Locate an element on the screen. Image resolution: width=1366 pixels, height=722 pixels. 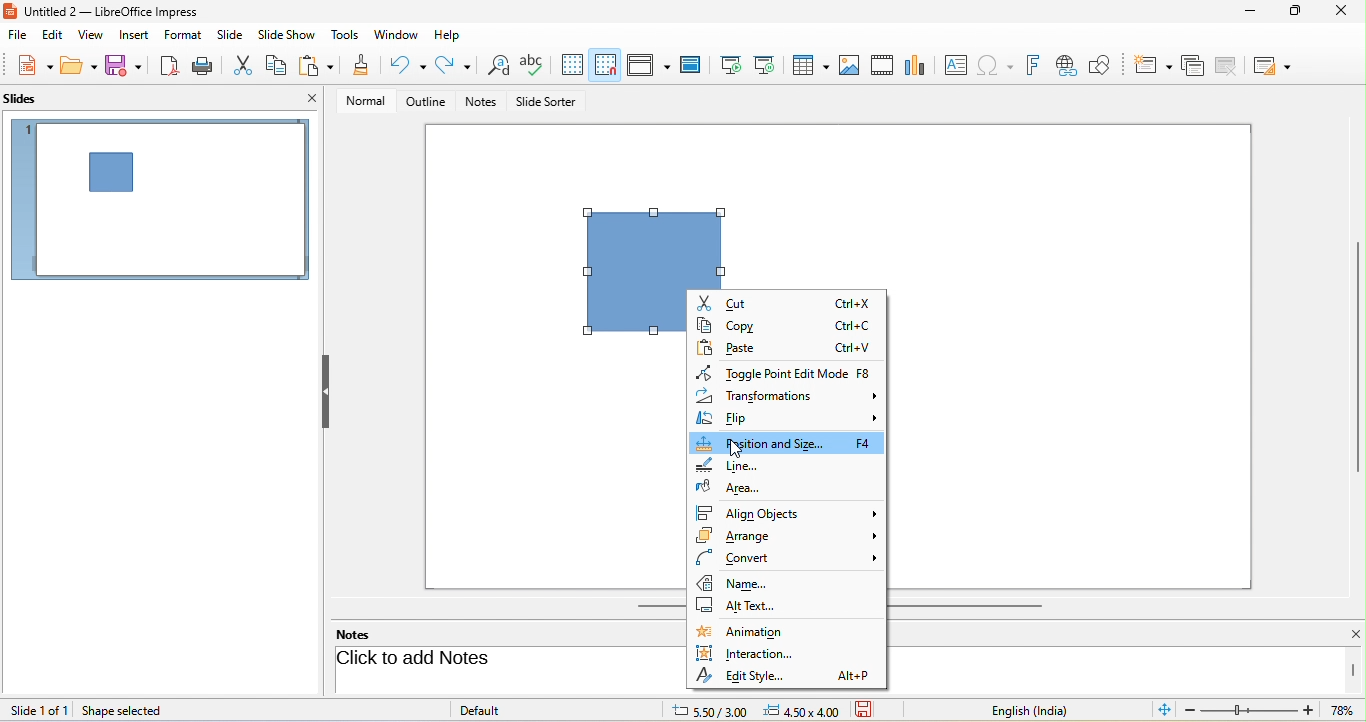
chart is located at coordinates (917, 64).